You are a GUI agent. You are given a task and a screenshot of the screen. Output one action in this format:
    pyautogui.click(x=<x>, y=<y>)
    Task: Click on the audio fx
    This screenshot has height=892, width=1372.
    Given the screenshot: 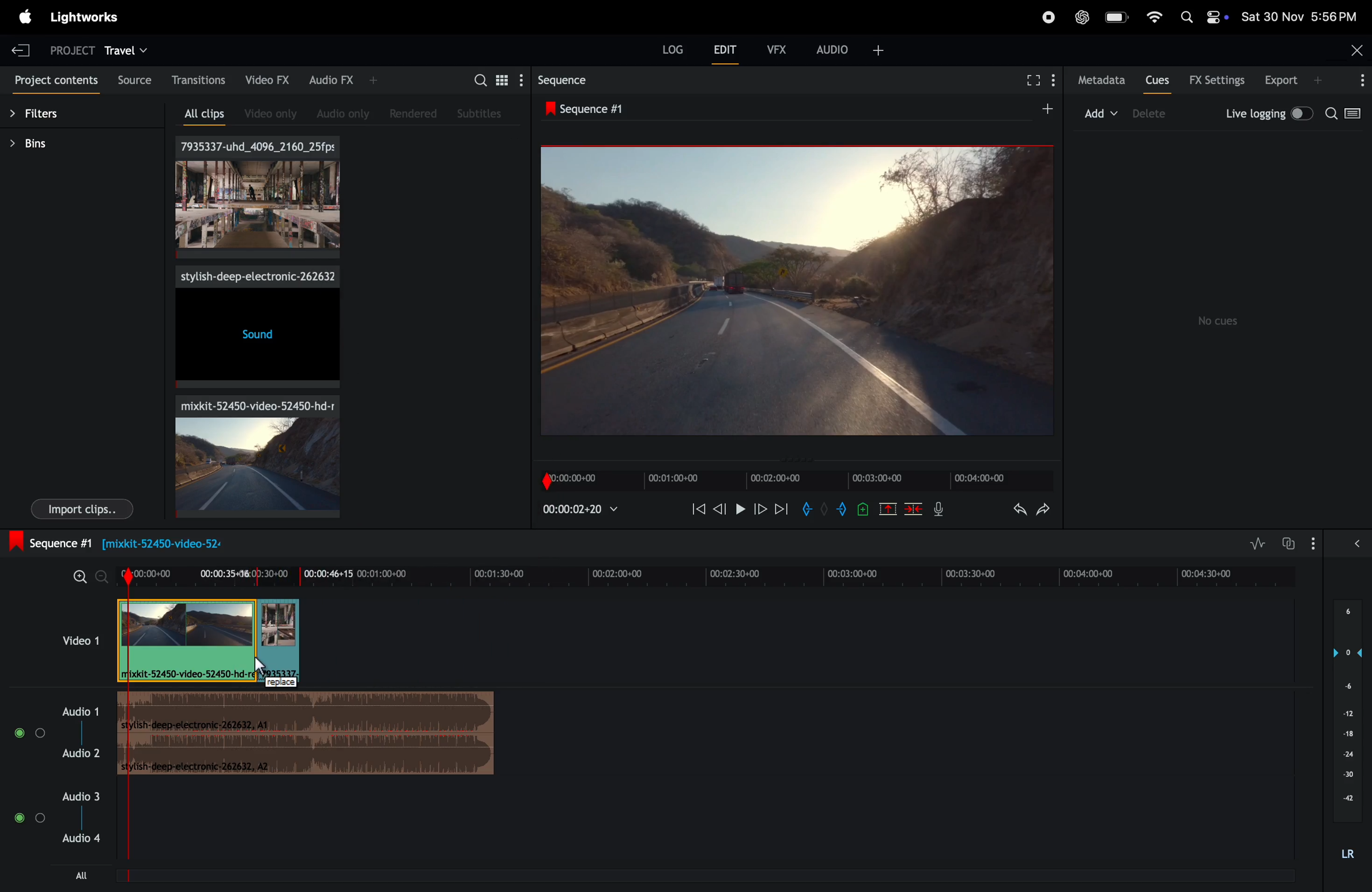 What is the action you would take?
    pyautogui.click(x=336, y=80)
    